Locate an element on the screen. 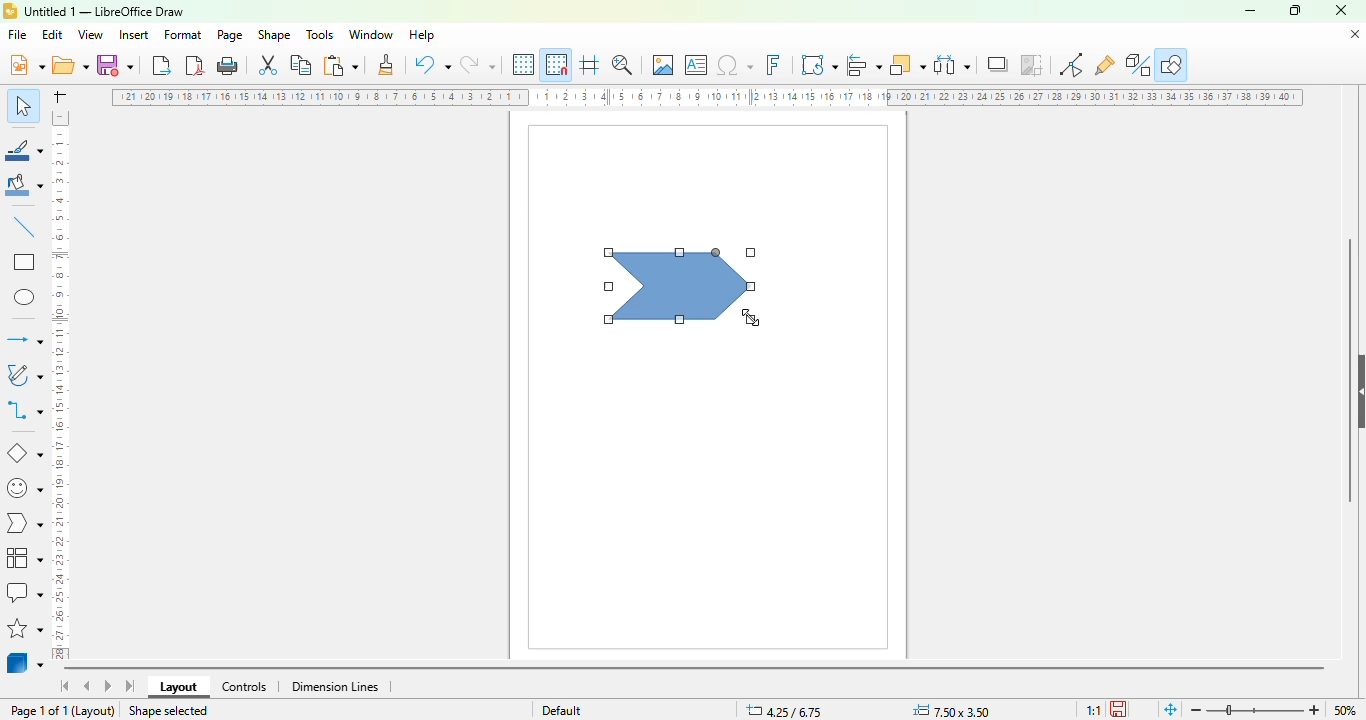 This screenshot has height=720, width=1366. help is located at coordinates (423, 35).